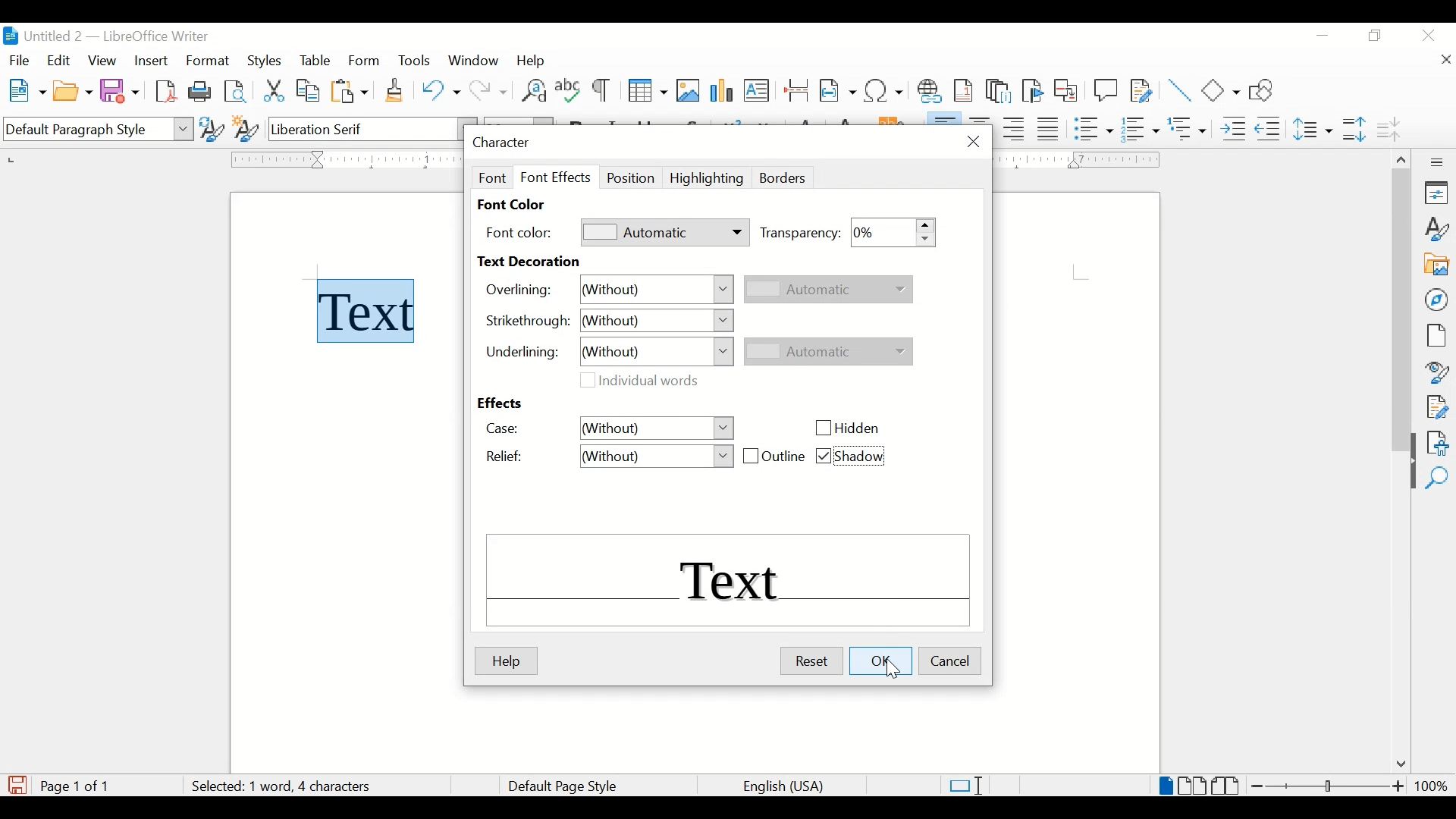 This screenshot has width=1456, height=819. I want to click on new, so click(28, 90).